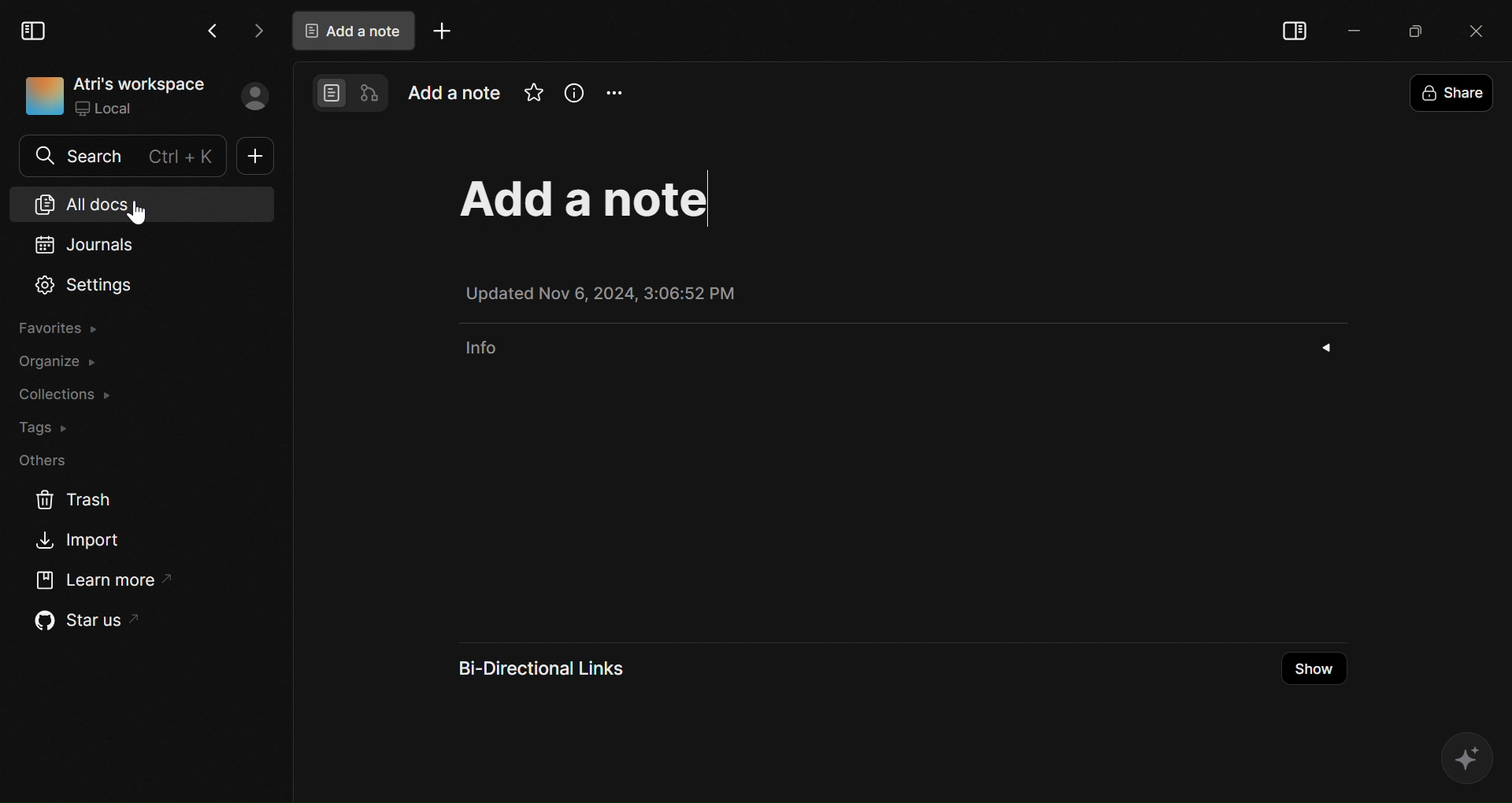 The width and height of the screenshot is (1512, 803). What do you see at coordinates (96, 203) in the screenshot?
I see `All docs` at bounding box center [96, 203].